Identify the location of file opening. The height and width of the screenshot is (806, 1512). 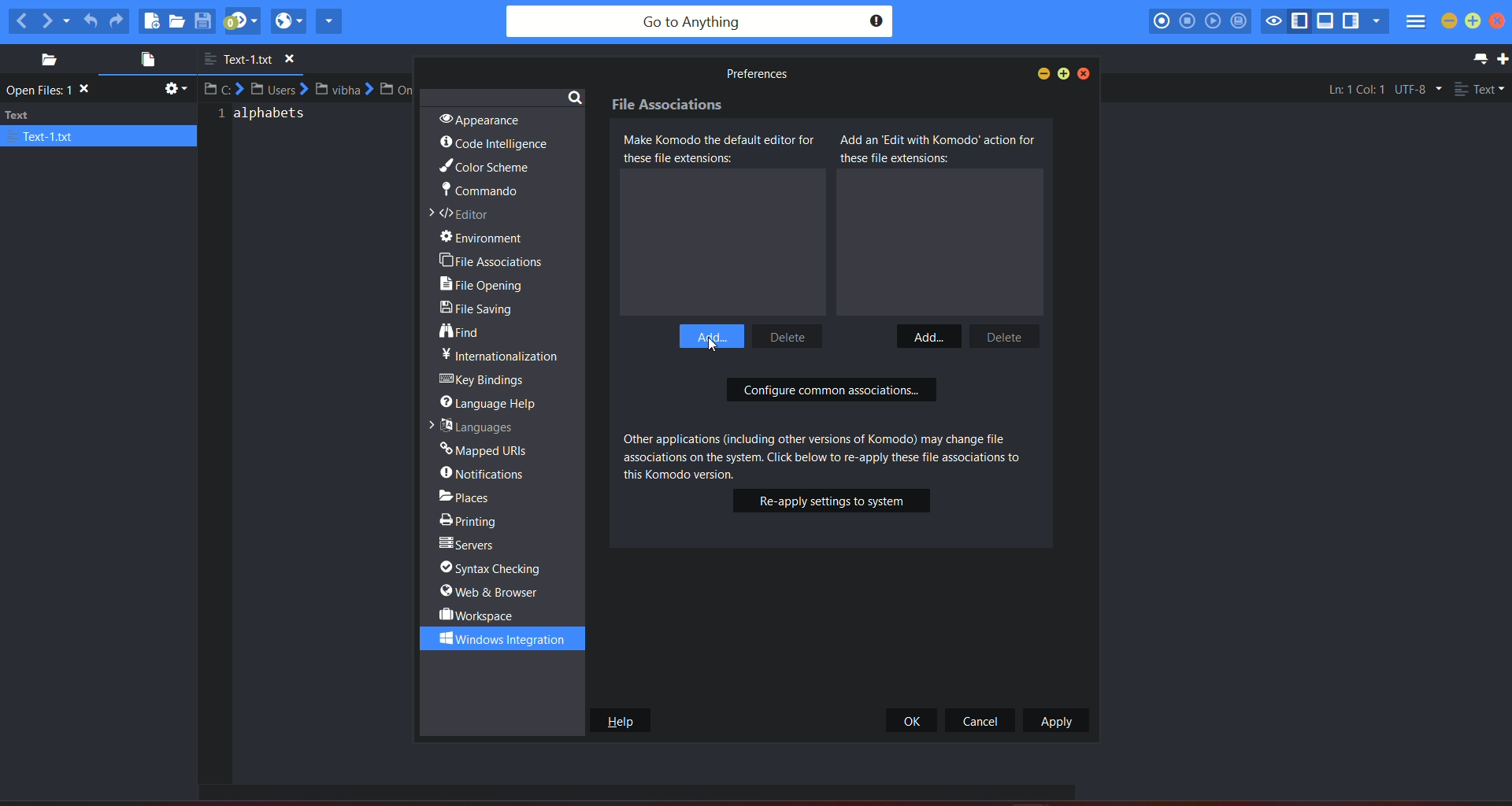
(487, 286).